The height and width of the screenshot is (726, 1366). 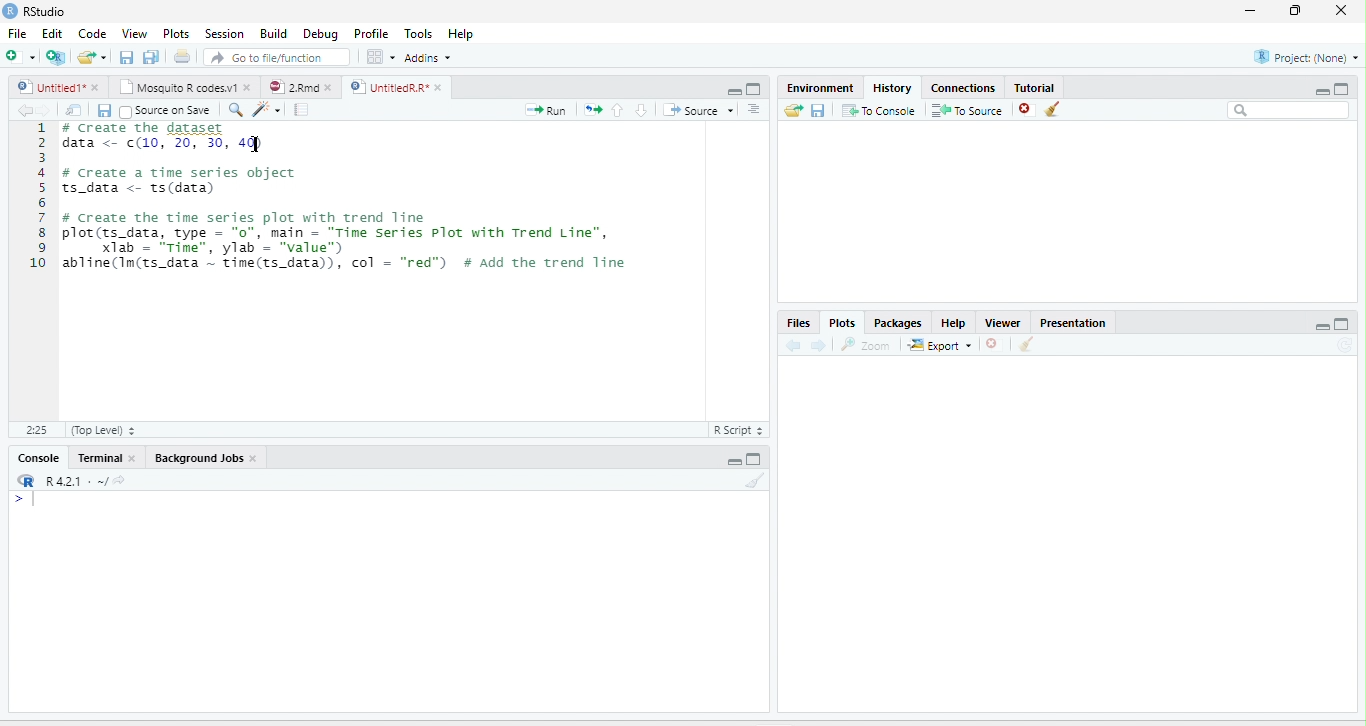 What do you see at coordinates (133, 33) in the screenshot?
I see `View` at bounding box center [133, 33].